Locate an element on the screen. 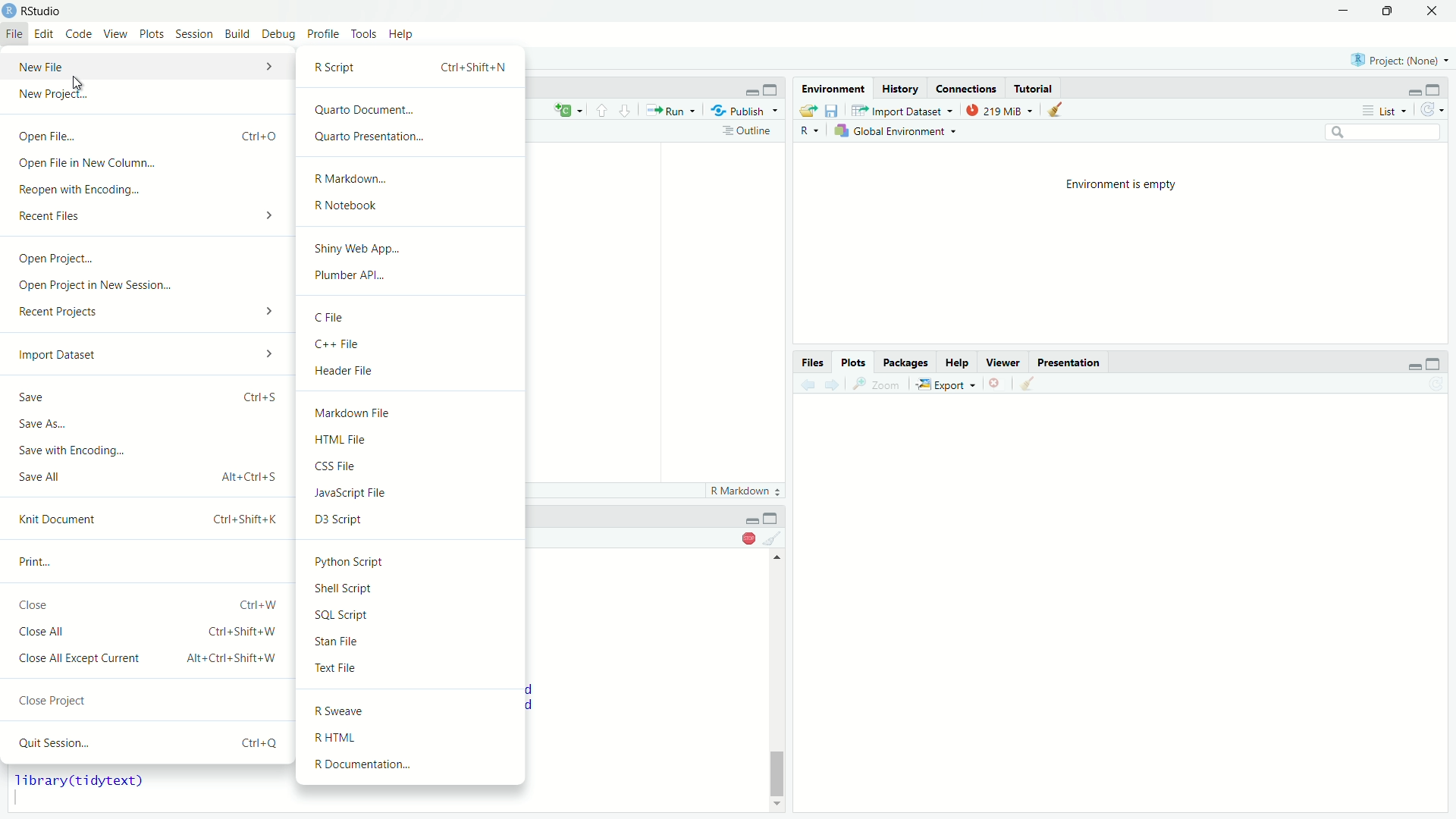 This screenshot has height=819, width=1456. Logo is located at coordinates (9, 11).